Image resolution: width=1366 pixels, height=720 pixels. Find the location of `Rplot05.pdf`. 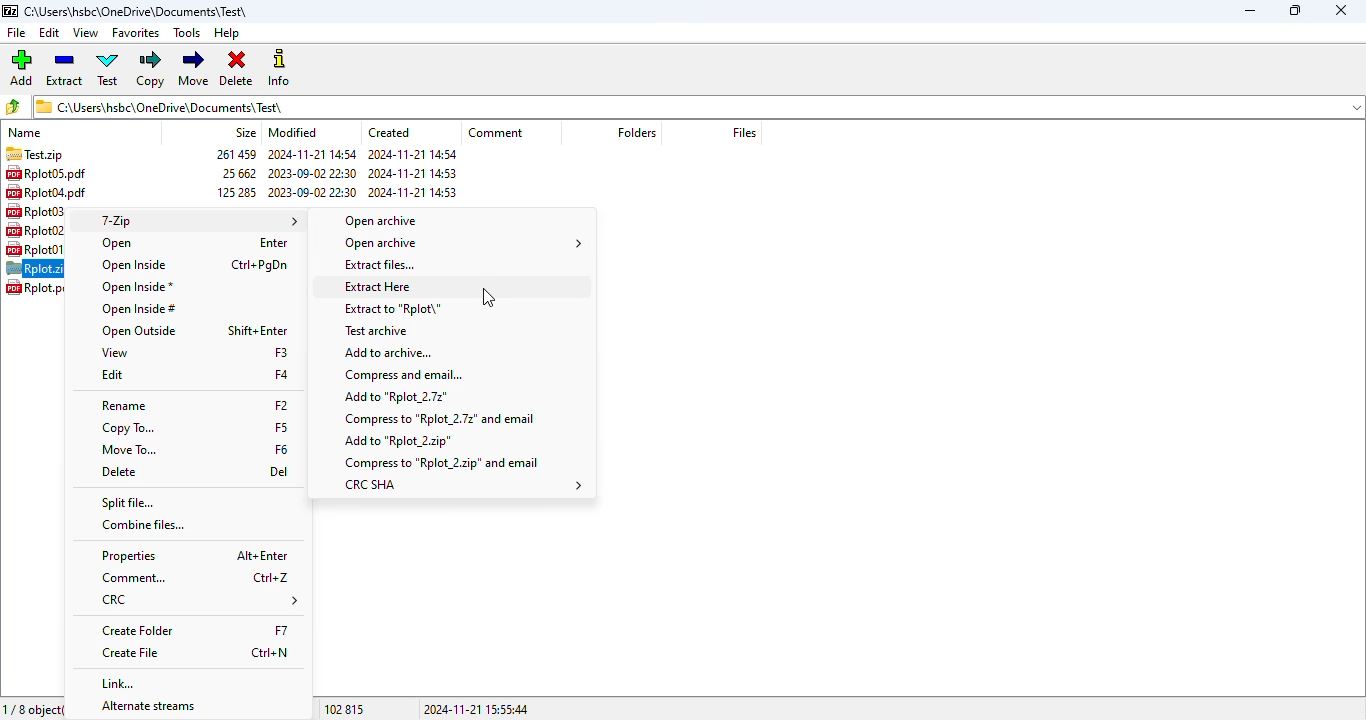

Rplot05.pdf is located at coordinates (56, 173).